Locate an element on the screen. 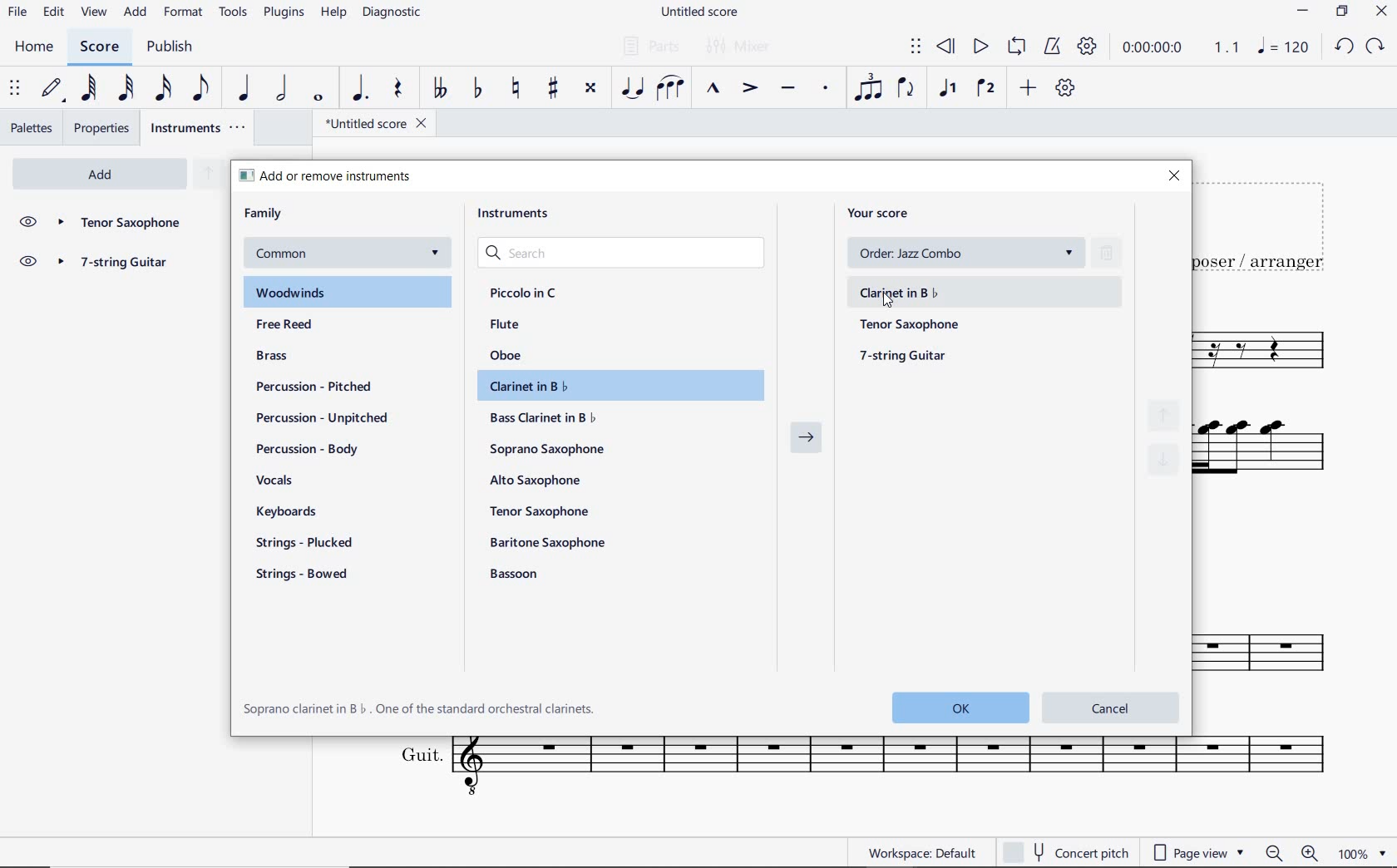  vocals is located at coordinates (275, 481).